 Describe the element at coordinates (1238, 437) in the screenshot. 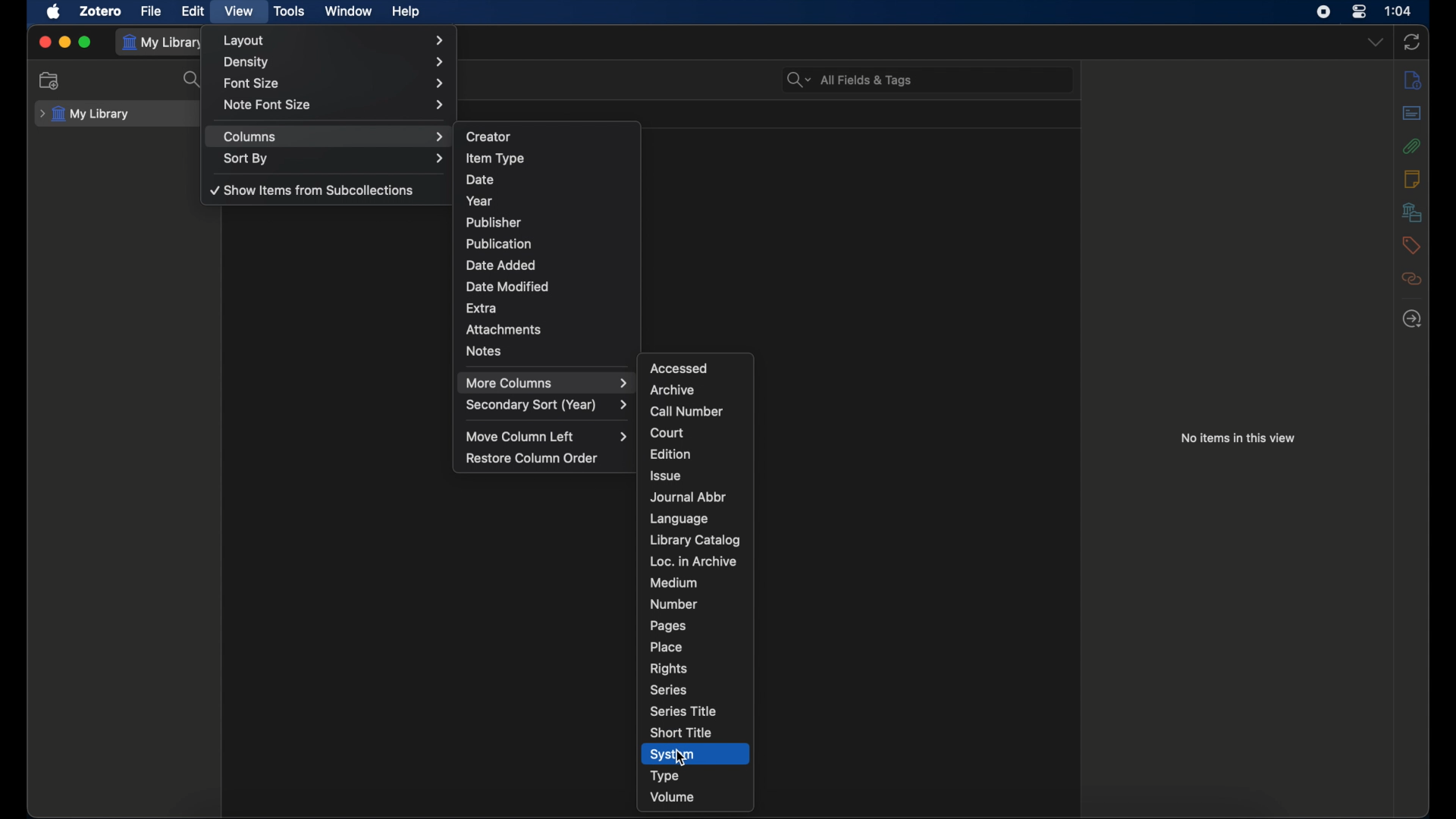

I see `no items in this view` at that location.